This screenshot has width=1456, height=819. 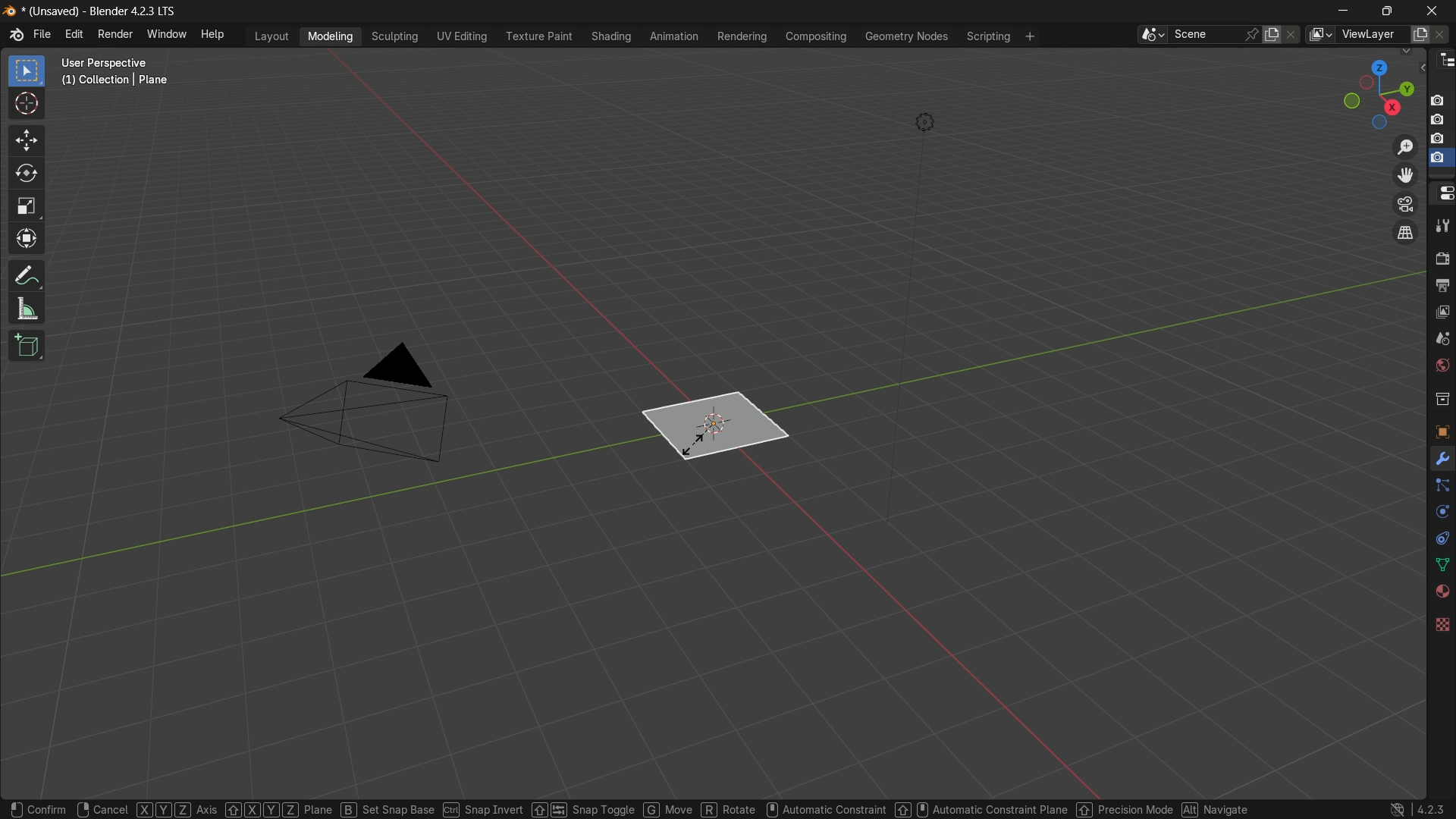 I want to click on texture paint, so click(x=539, y=36).